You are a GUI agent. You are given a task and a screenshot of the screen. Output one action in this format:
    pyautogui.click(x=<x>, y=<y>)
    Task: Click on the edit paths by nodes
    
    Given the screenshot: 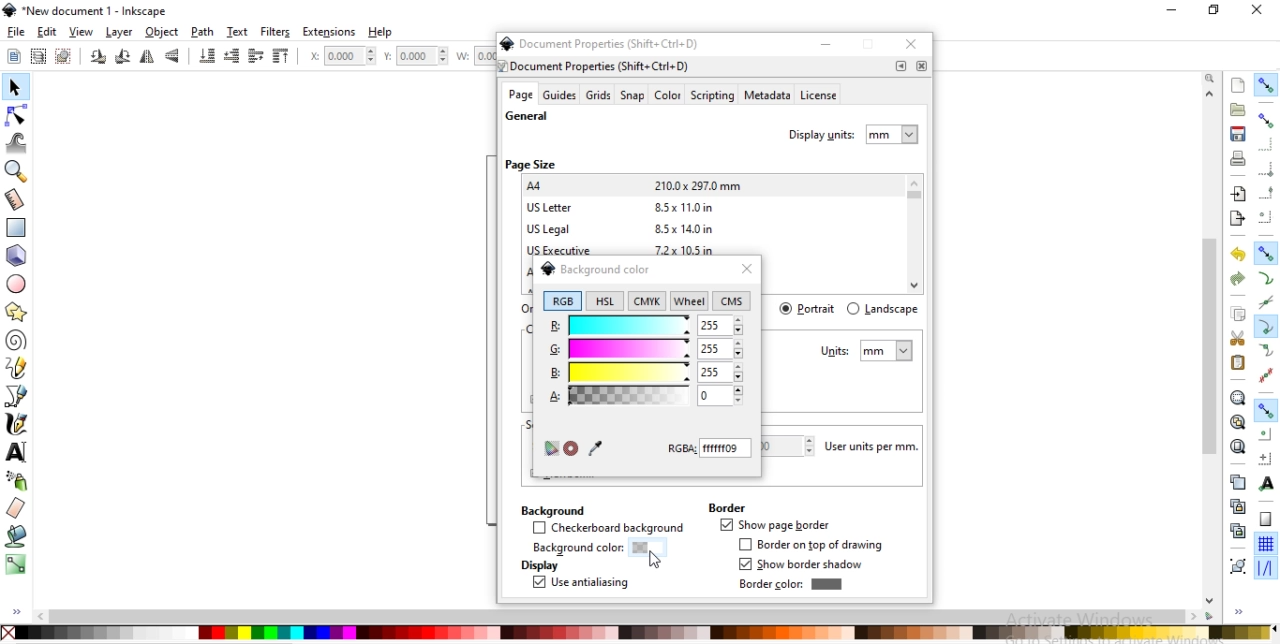 What is the action you would take?
    pyautogui.click(x=15, y=118)
    